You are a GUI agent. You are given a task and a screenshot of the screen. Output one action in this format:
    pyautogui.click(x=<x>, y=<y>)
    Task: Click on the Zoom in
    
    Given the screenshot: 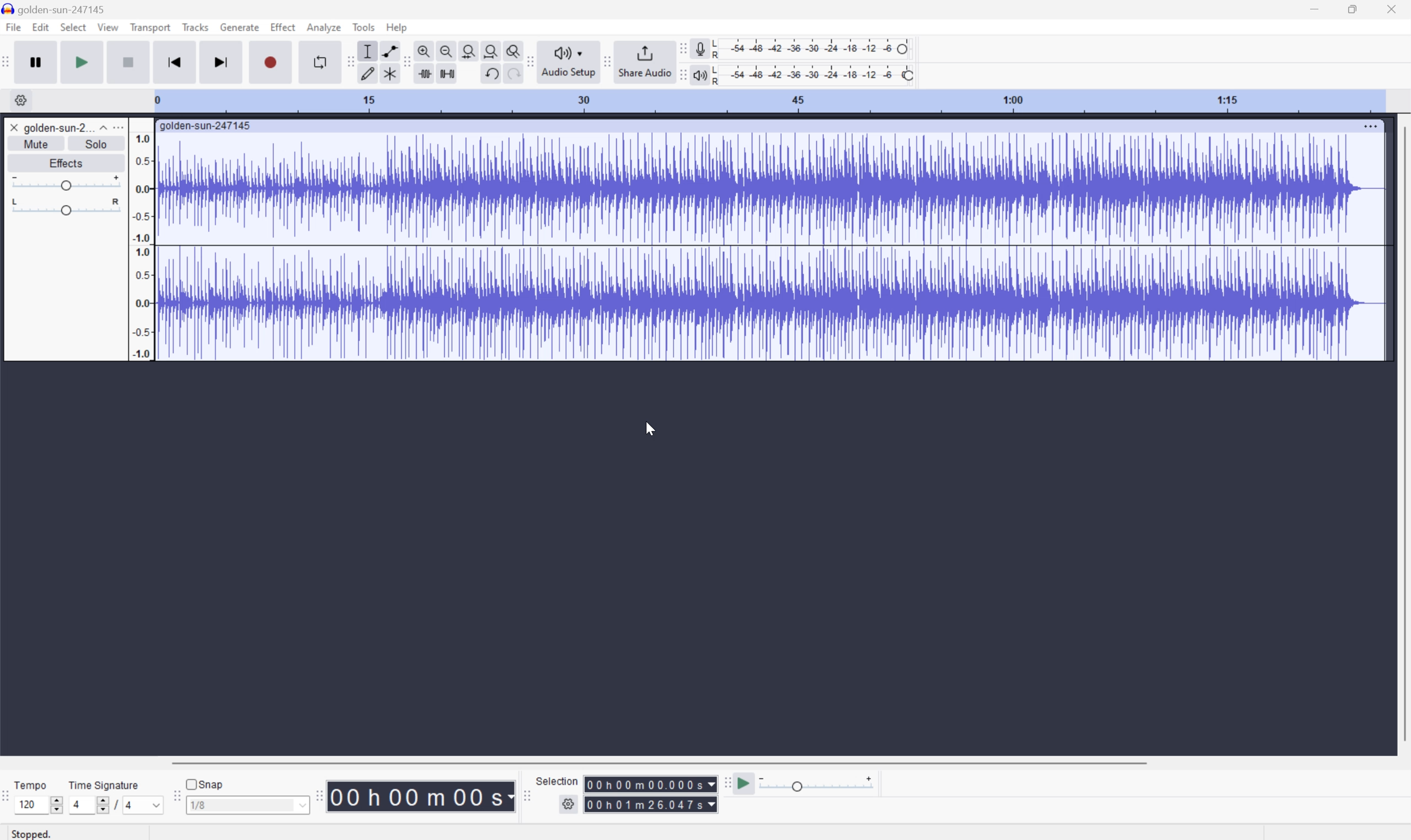 What is the action you would take?
    pyautogui.click(x=426, y=48)
    